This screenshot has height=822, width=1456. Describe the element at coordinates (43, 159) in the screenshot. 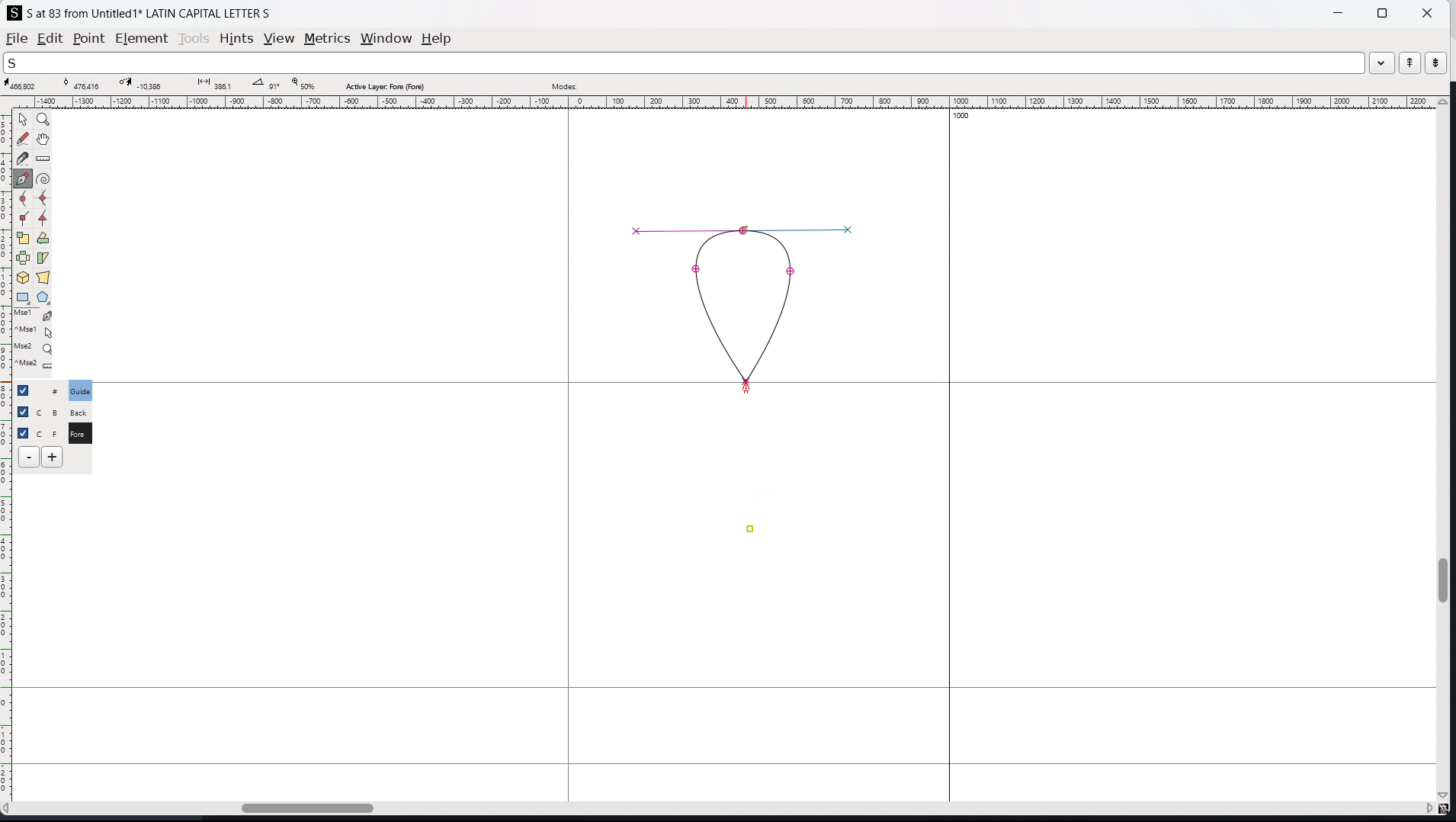

I see `measure distance, angle between two points` at that location.